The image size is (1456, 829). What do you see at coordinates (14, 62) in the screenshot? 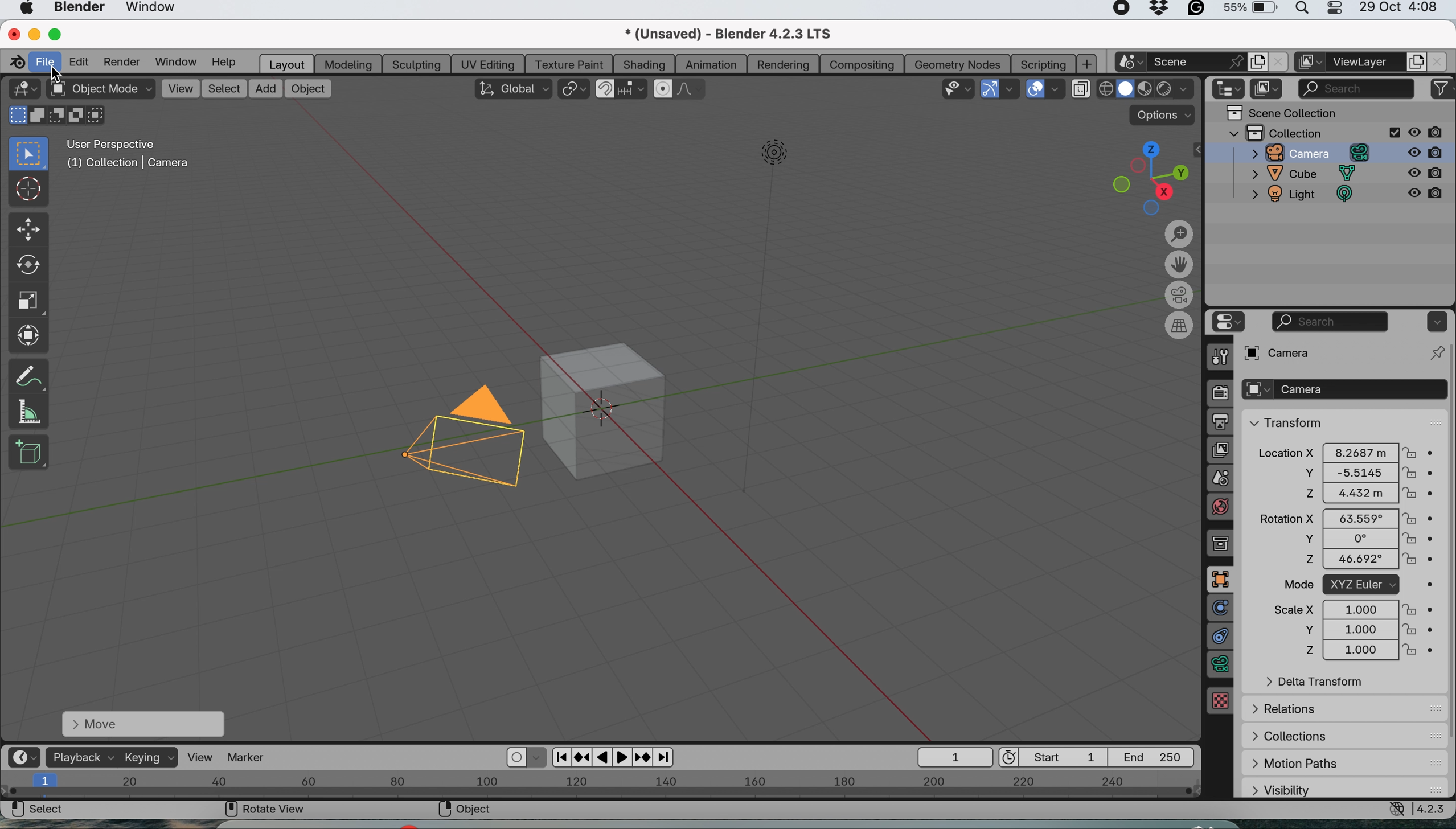
I see `blender logo` at bounding box center [14, 62].